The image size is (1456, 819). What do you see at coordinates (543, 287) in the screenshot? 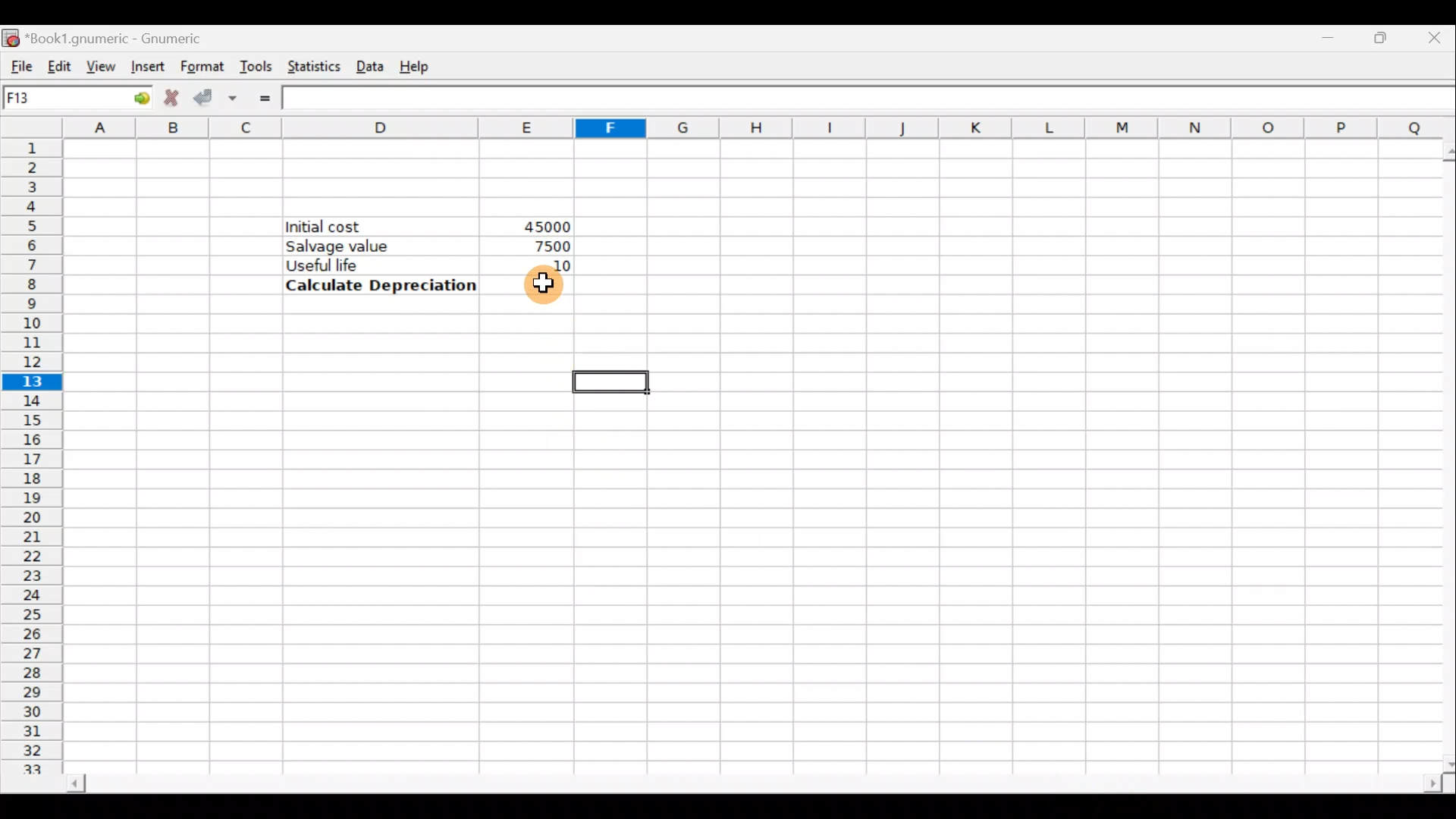
I see `Cursor hovering on cell E8` at bounding box center [543, 287].